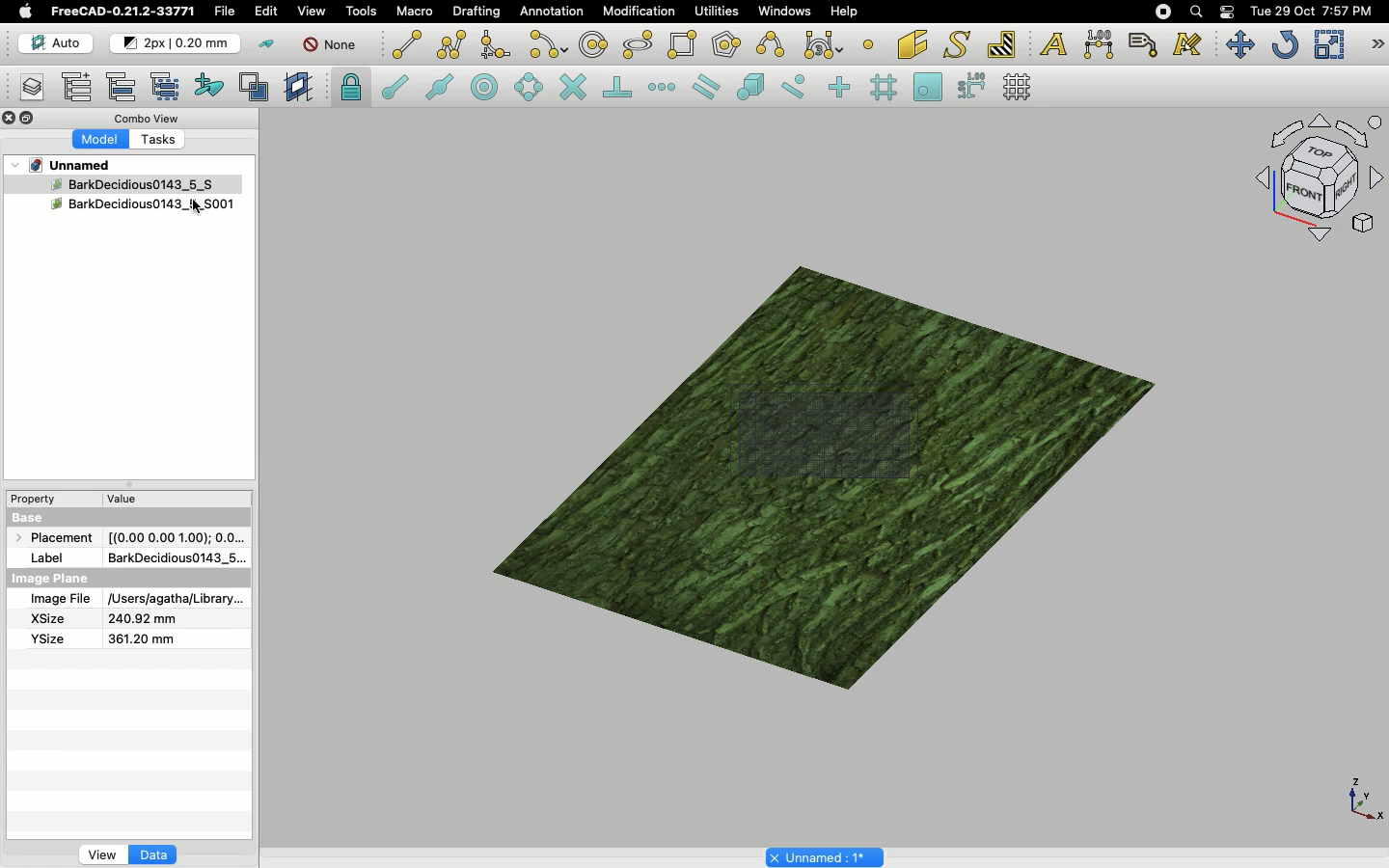  Describe the element at coordinates (149, 118) in the screenshot. I see `Combo view` at that location.